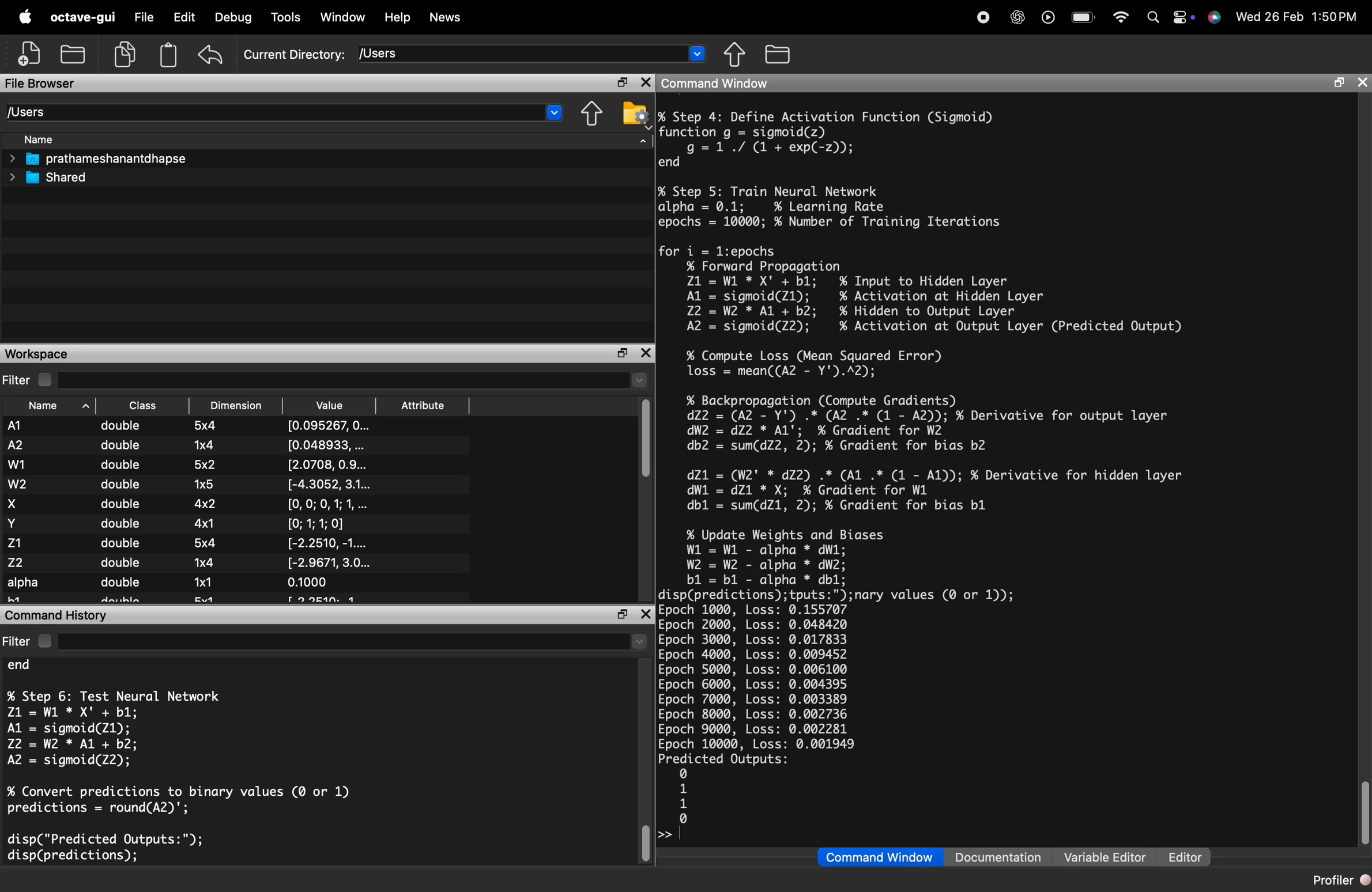  Describe the element at coordinates (1334, 879) in the screenshot. I see `Profiler ` at that location.